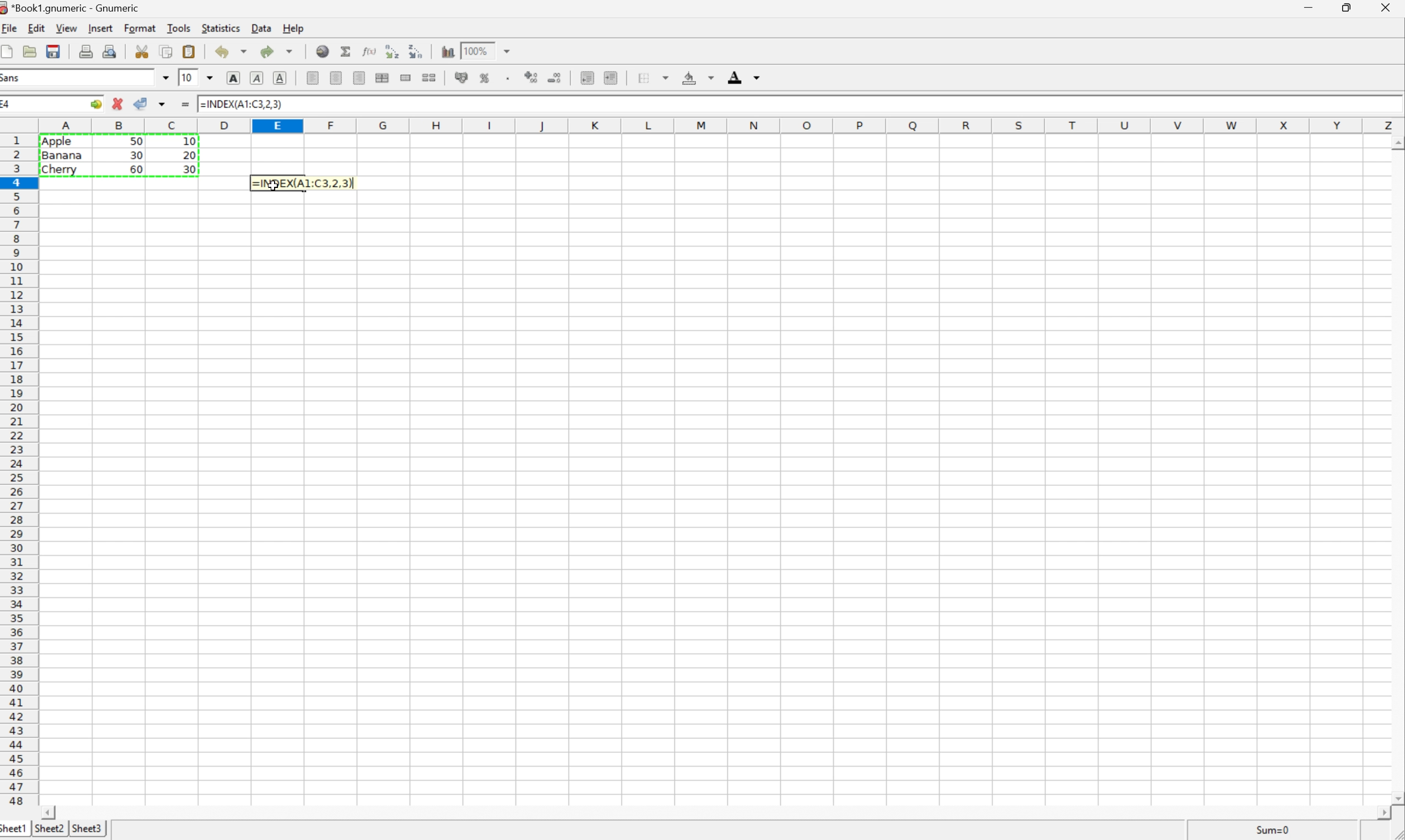 The width and height of the screenshot is (1405, 840). What do you see at coordinates (54, 50) in the screenshot?
I see `save in current workbook` at bounding box center [54, 50].